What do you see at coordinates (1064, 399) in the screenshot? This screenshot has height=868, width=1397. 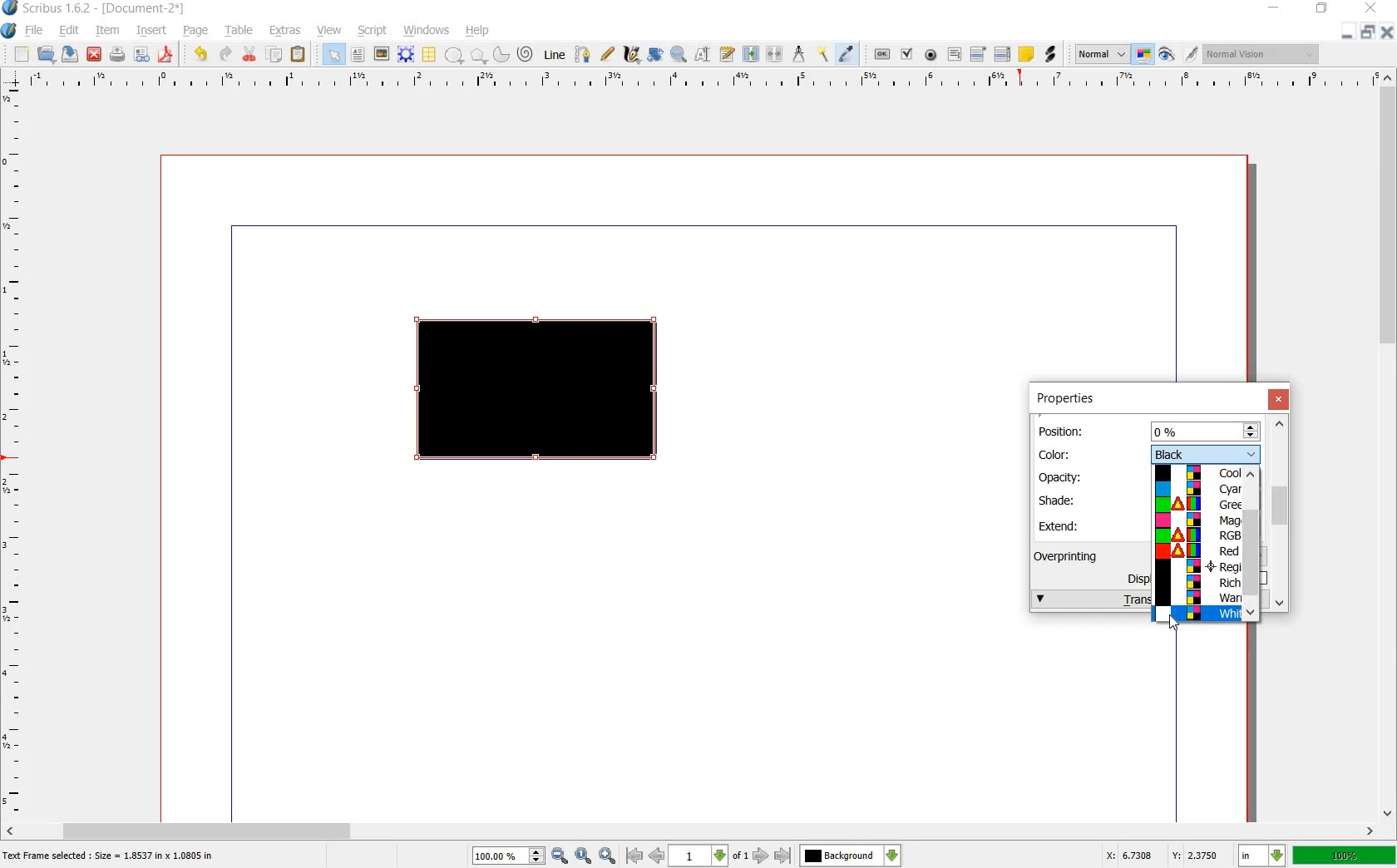 I see `properties` at bounding box center [1064, 399].